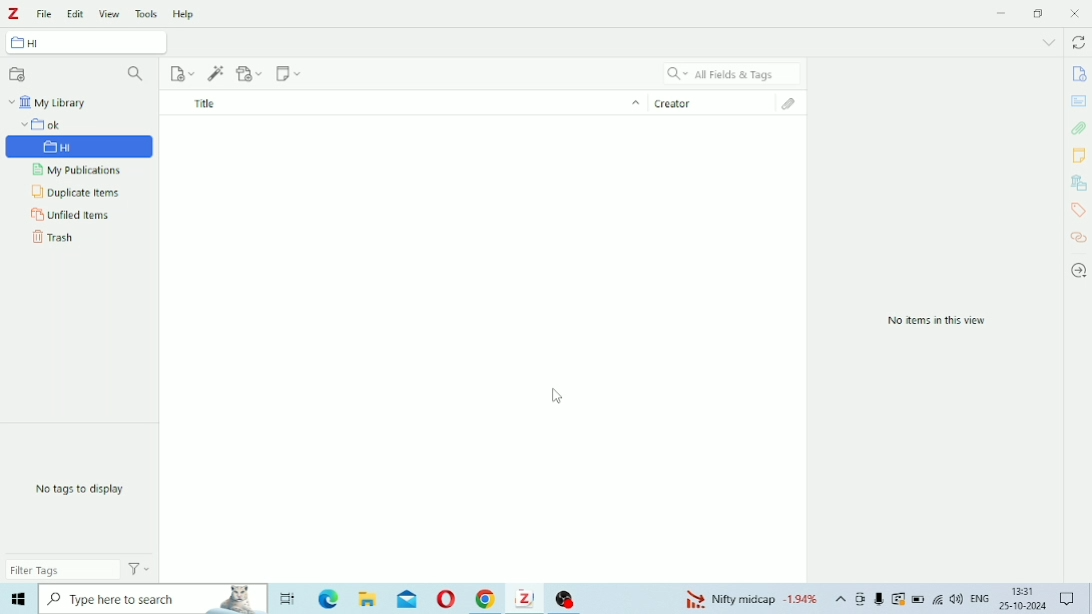 The width and height of the screenshot is (1092, 614). I want to click on Mic, so click(879, 598).